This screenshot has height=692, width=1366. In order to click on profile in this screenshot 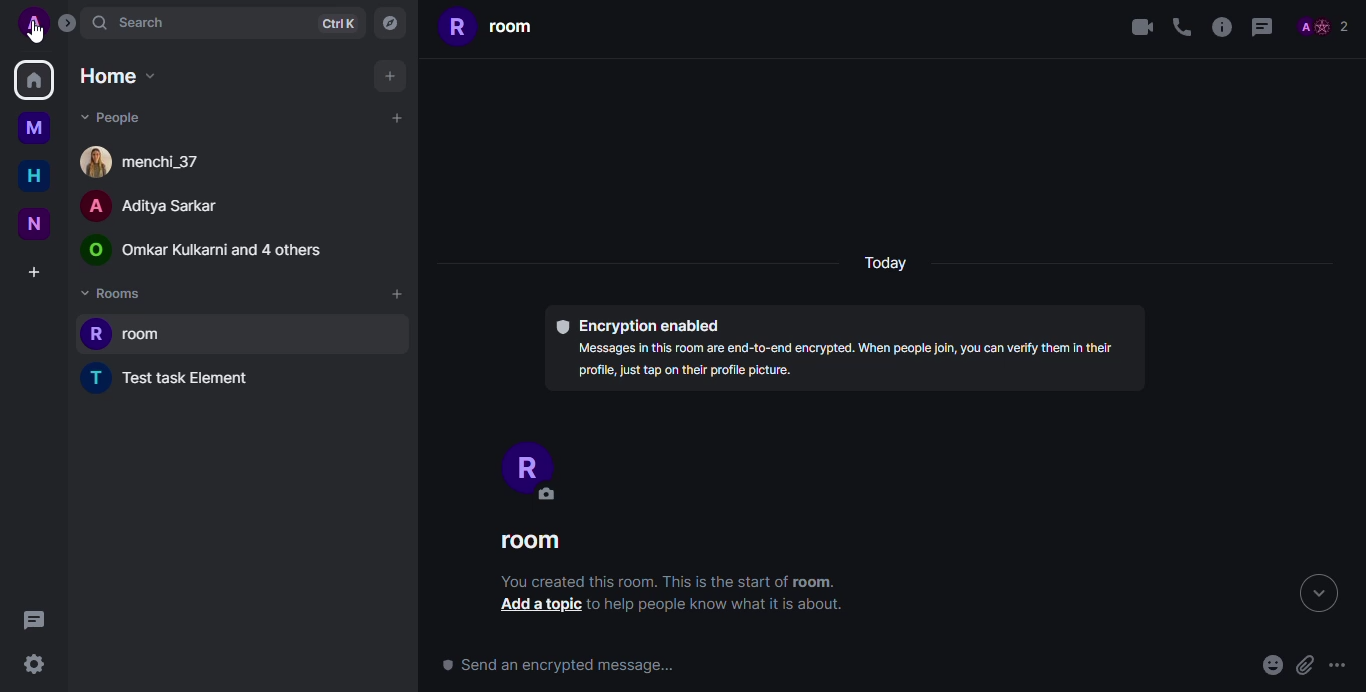, I will do `click(32, 24)`.